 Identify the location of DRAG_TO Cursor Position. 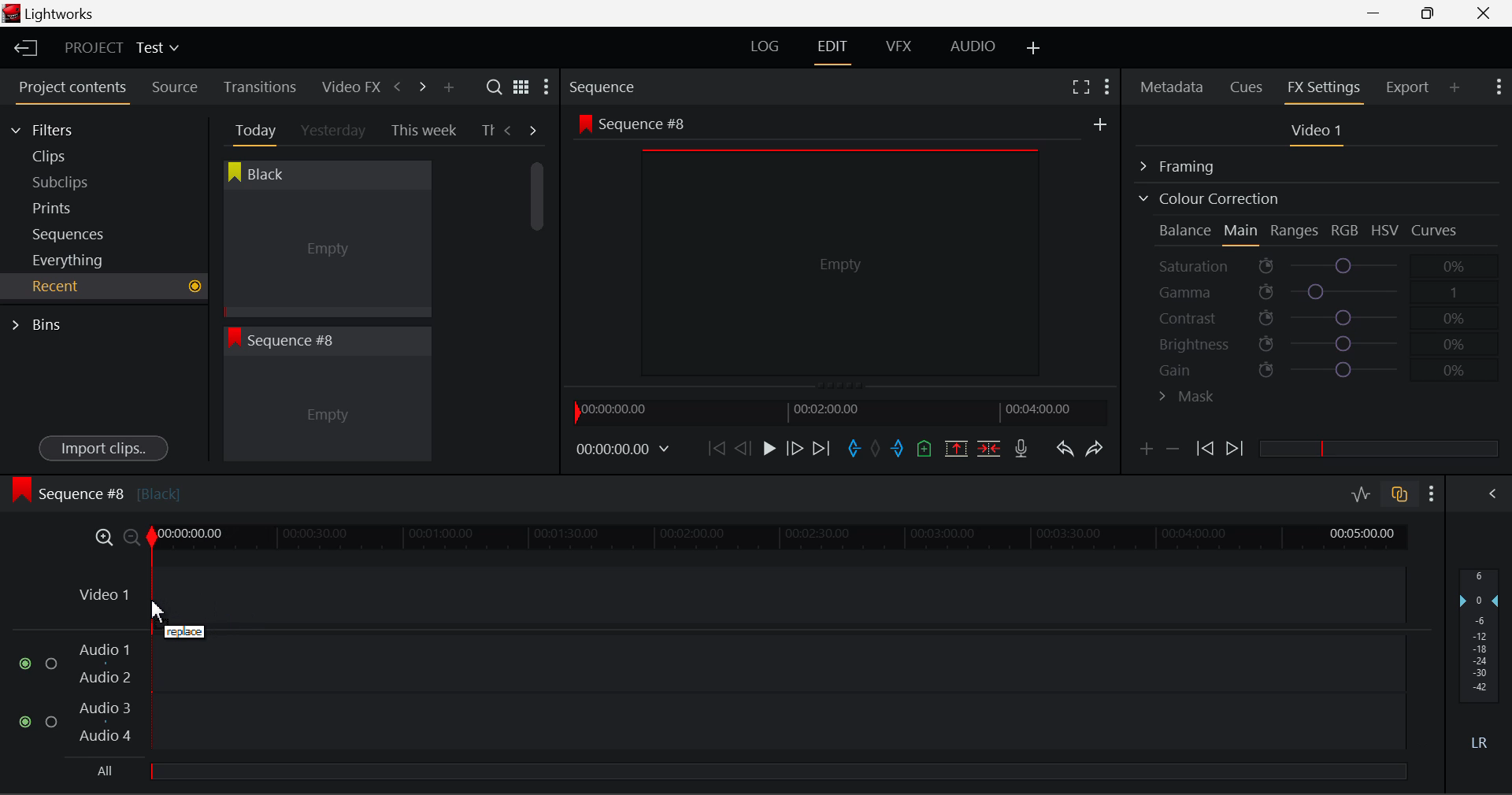
(165, 611).